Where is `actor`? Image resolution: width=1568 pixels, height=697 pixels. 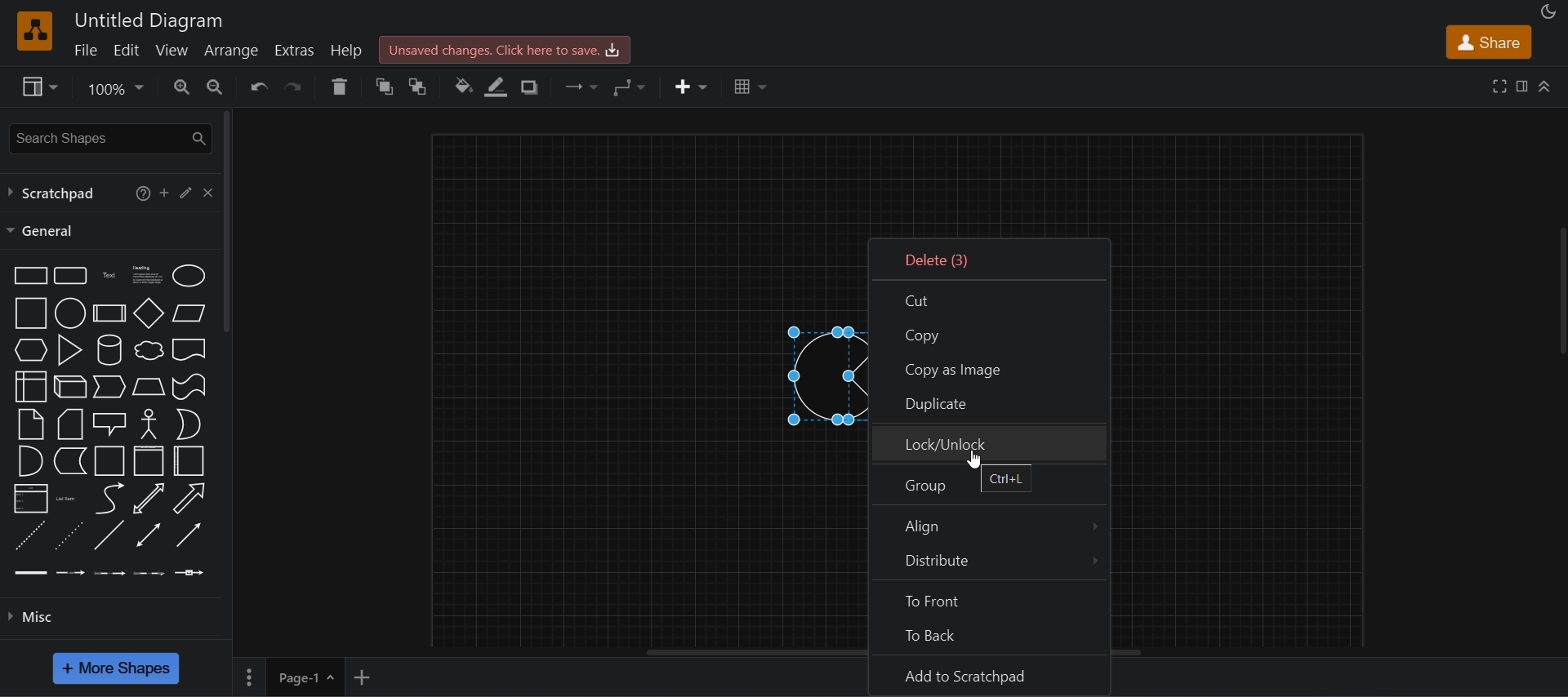
actor is located at coordinates (149, 422).